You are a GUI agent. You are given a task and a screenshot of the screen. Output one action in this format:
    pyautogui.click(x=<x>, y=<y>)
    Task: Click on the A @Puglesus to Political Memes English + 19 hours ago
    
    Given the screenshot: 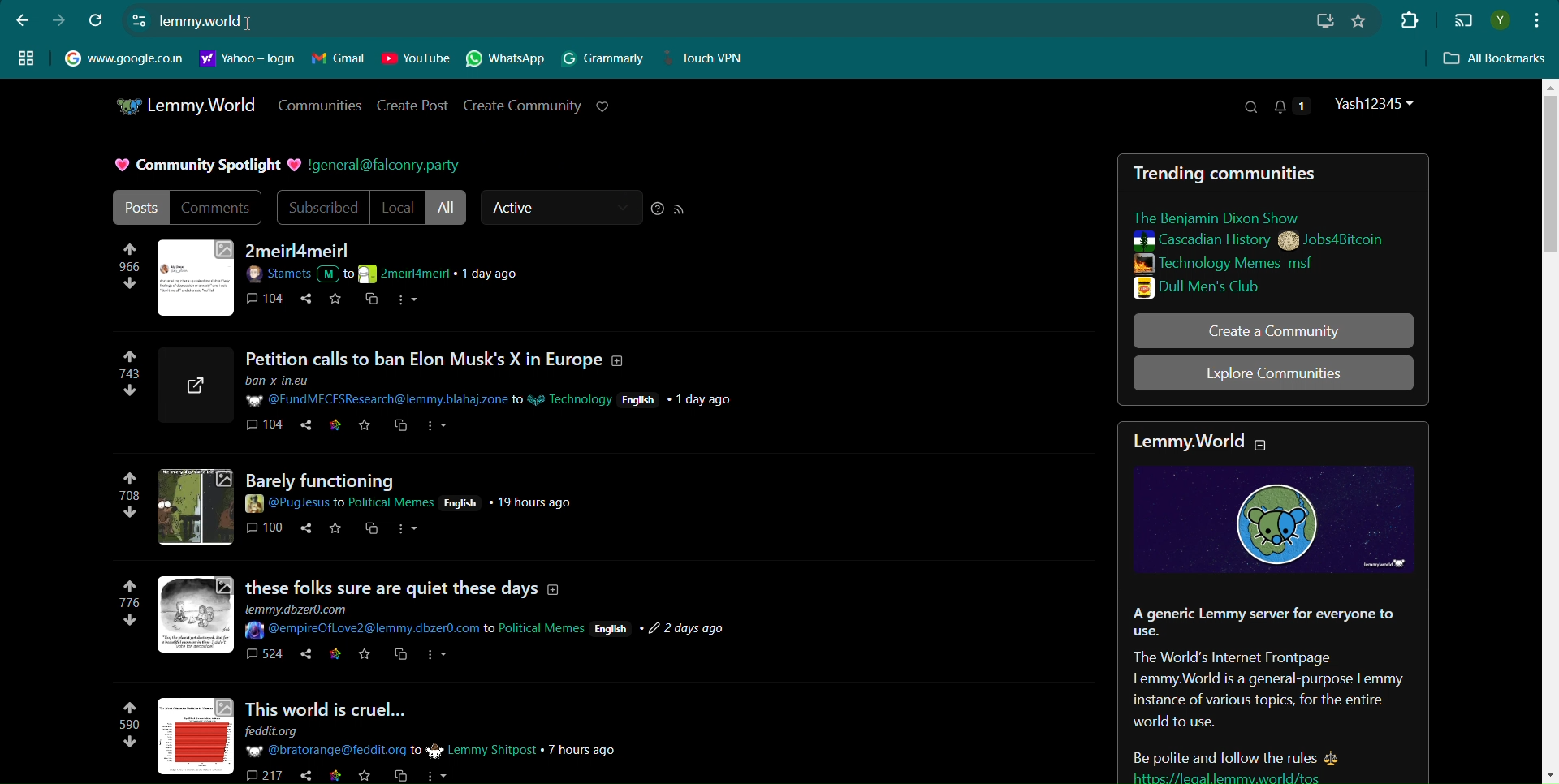 What is the action you would take?
    pyautogui.click(x=411, y=502)
    